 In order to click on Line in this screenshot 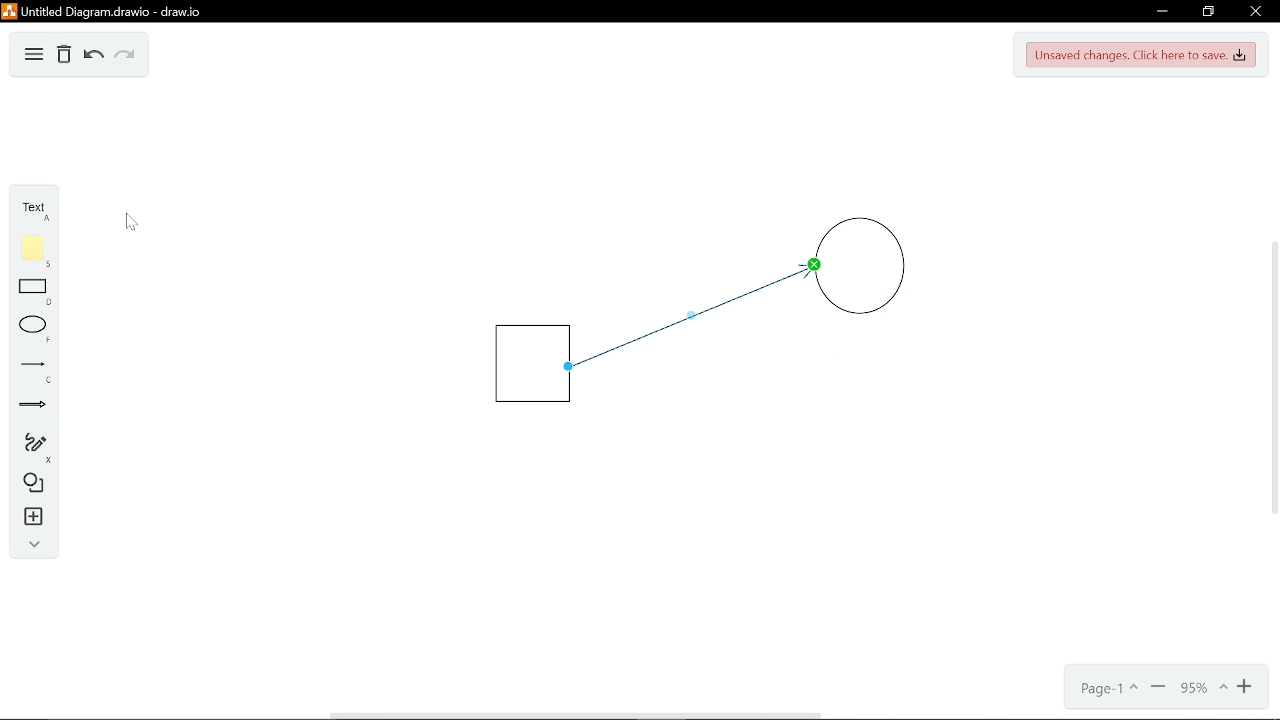, I will do `click(30, 368)`.